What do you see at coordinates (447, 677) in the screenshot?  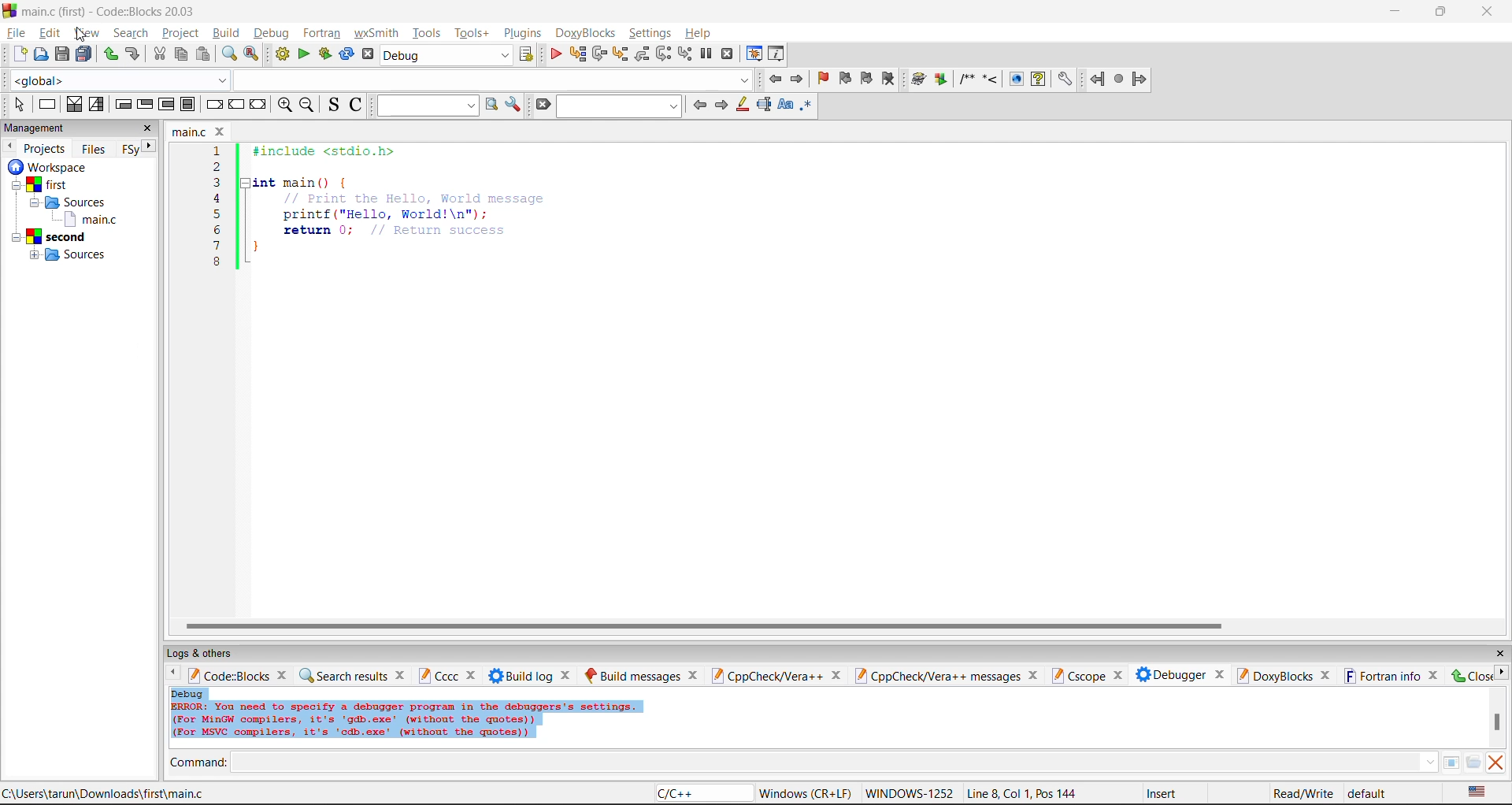 I see `cccc` at bounding box center [447, 677].